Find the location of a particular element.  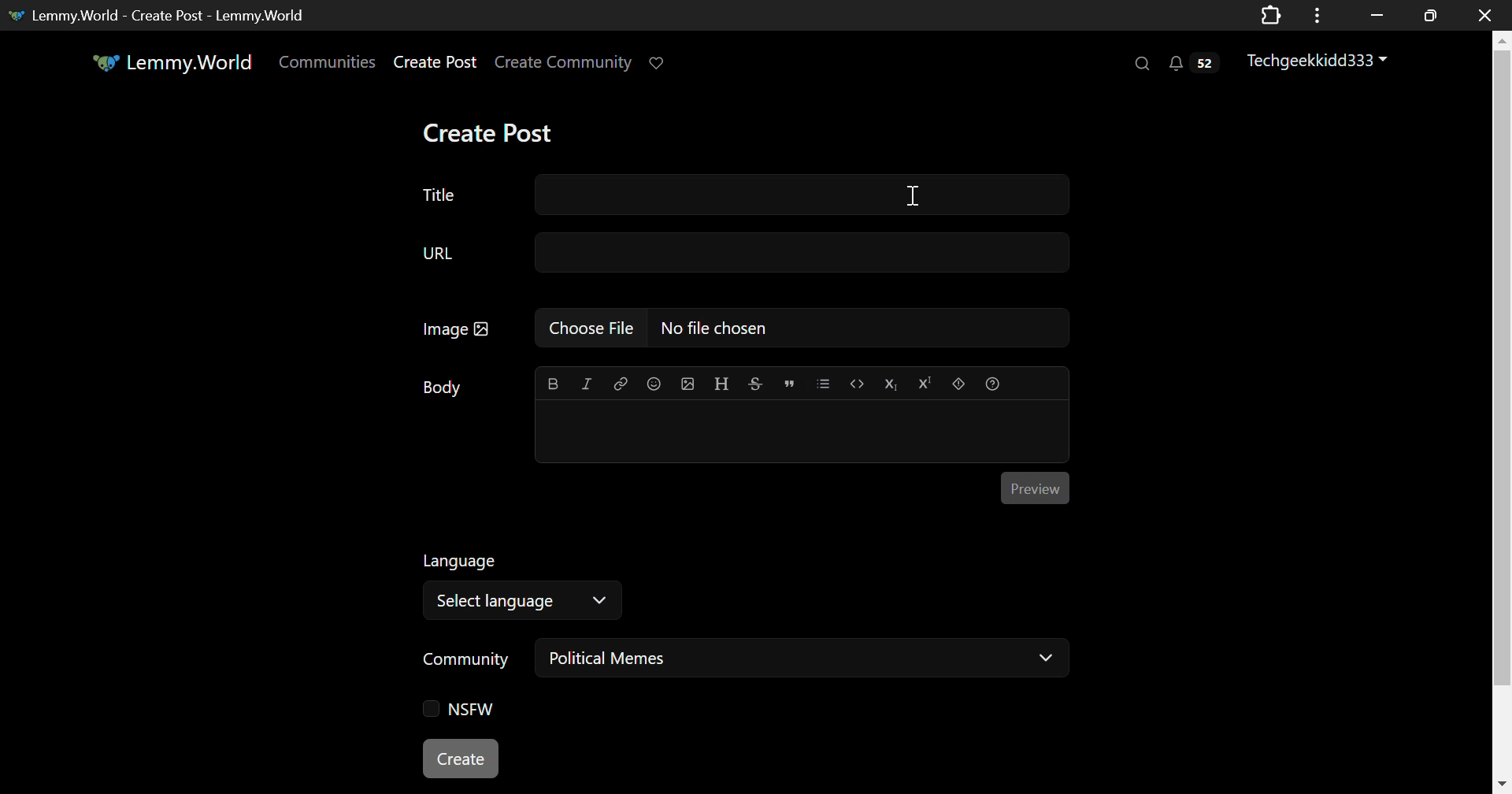

Bold is located at coordinates (551, 383).